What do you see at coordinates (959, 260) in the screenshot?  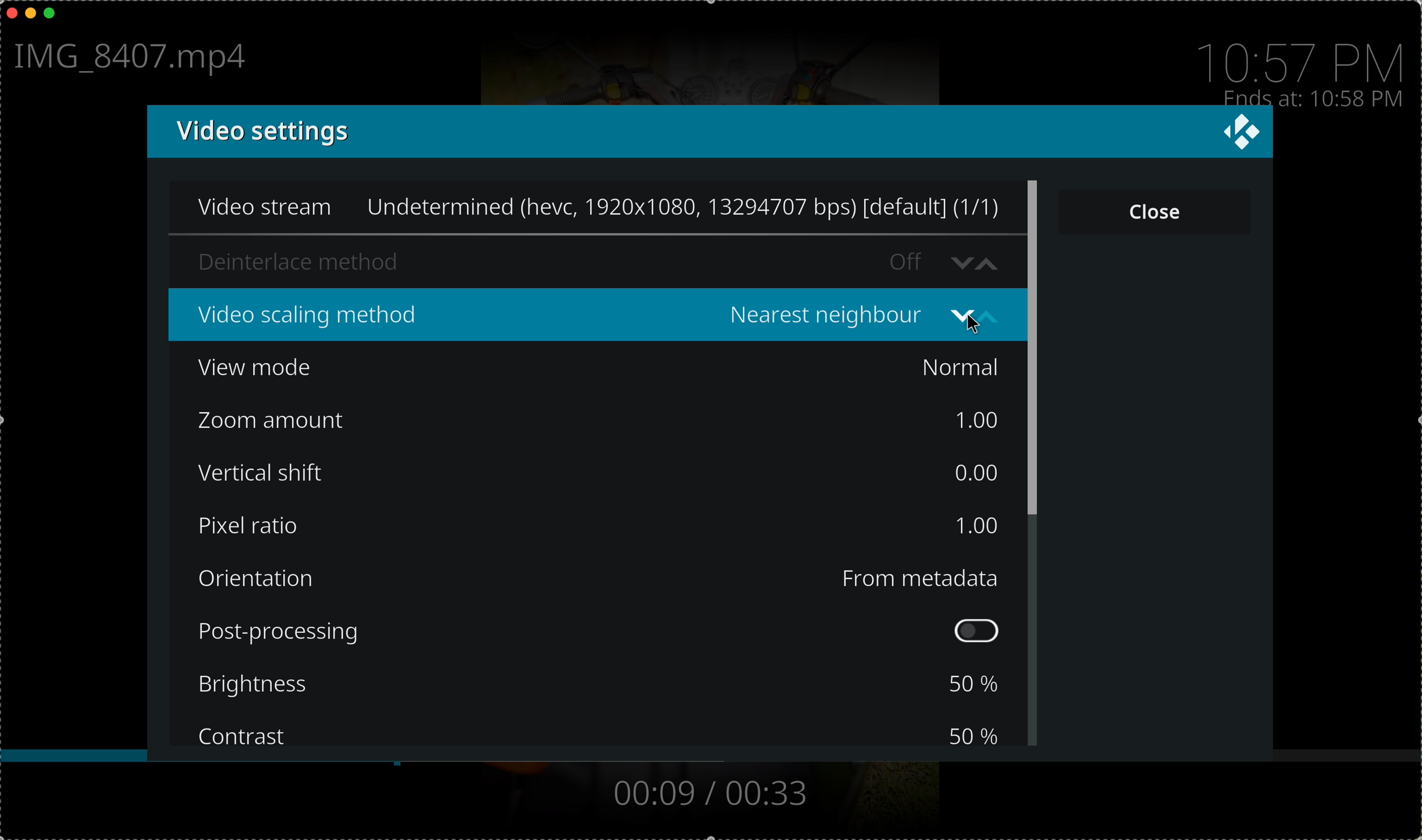 I see `decrease value` at bounding box center [959, 260].